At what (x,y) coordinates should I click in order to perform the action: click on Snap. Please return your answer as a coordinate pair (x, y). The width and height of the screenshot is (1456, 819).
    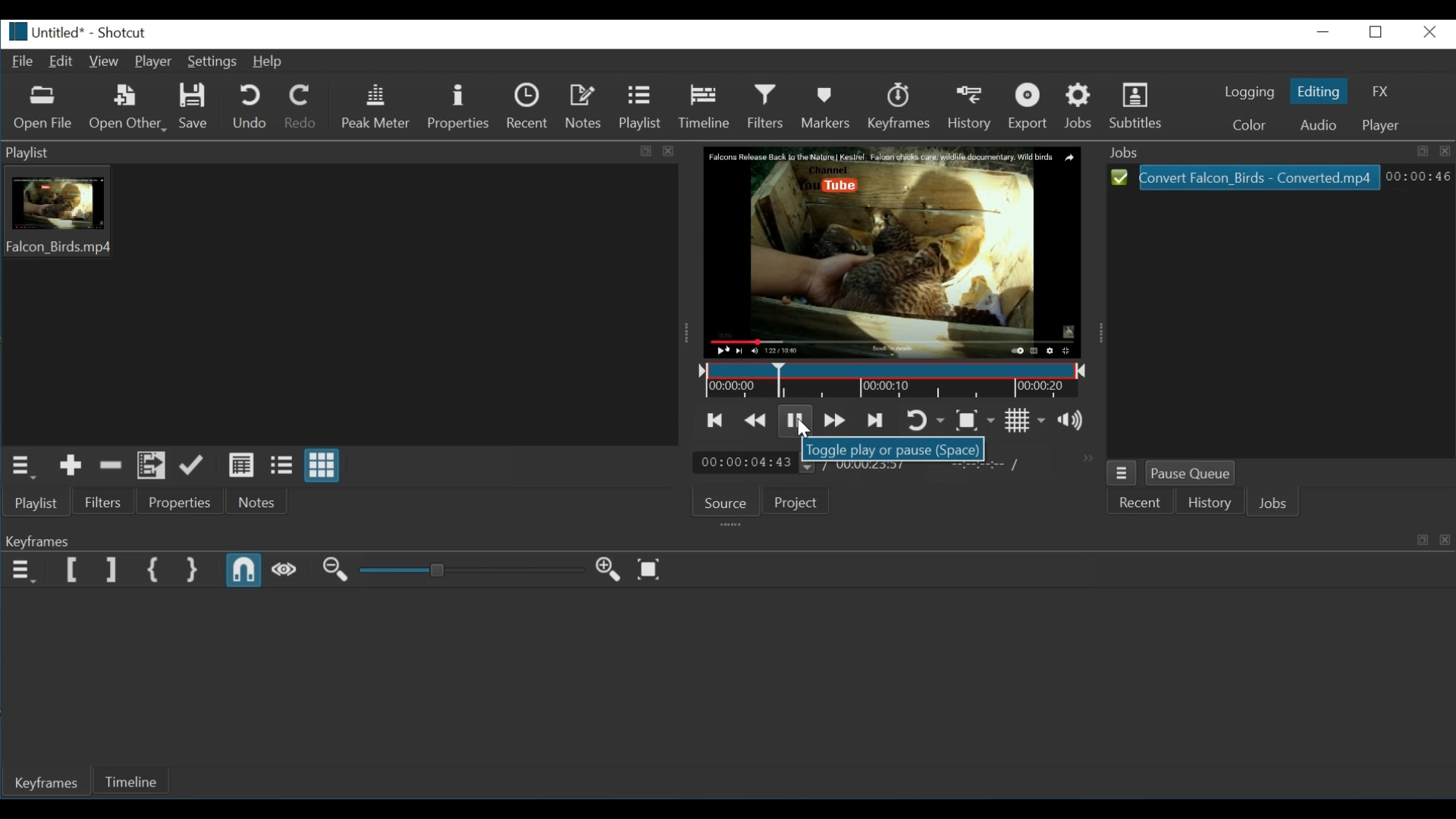
    Looking at the image, I should click on (243, 570).